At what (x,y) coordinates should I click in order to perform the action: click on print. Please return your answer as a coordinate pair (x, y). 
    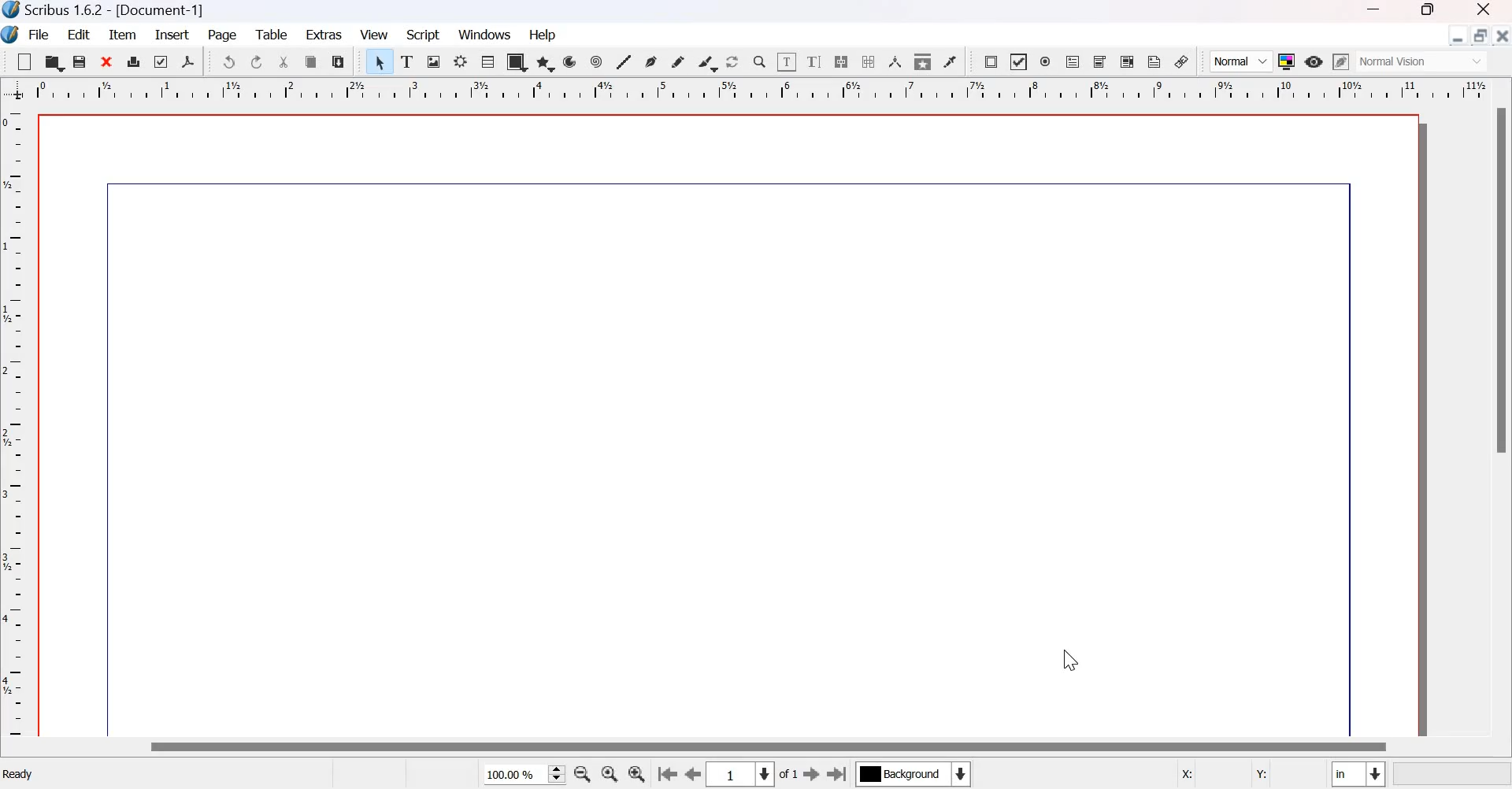
    Looking at the image, I should click on (133, 61).